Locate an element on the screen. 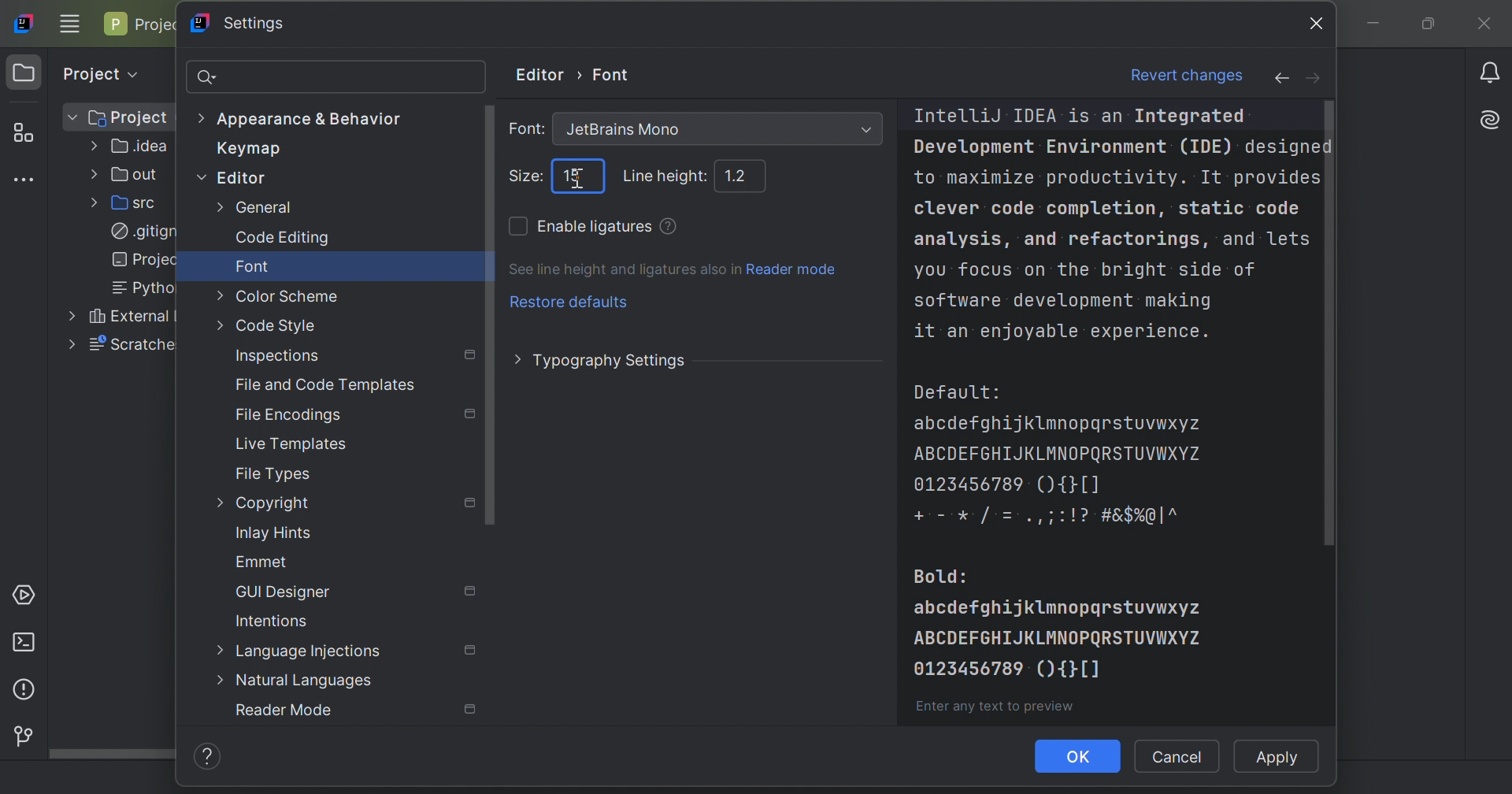 The height and width of the screenshot is (794, 1512). Jetbrains Mono is located at coordinates (622, 131).